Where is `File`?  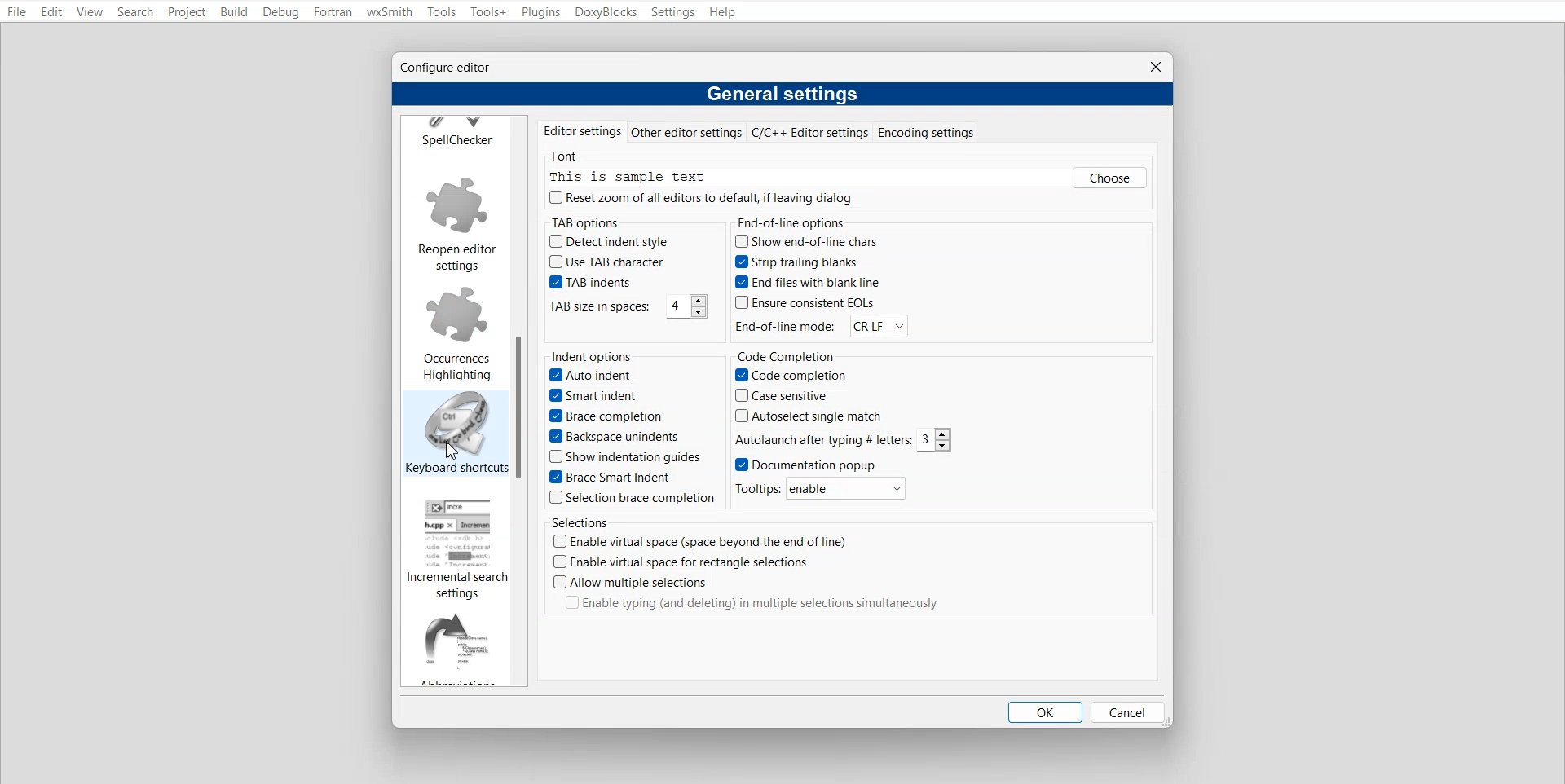
File is located at coordinates (16, 11).